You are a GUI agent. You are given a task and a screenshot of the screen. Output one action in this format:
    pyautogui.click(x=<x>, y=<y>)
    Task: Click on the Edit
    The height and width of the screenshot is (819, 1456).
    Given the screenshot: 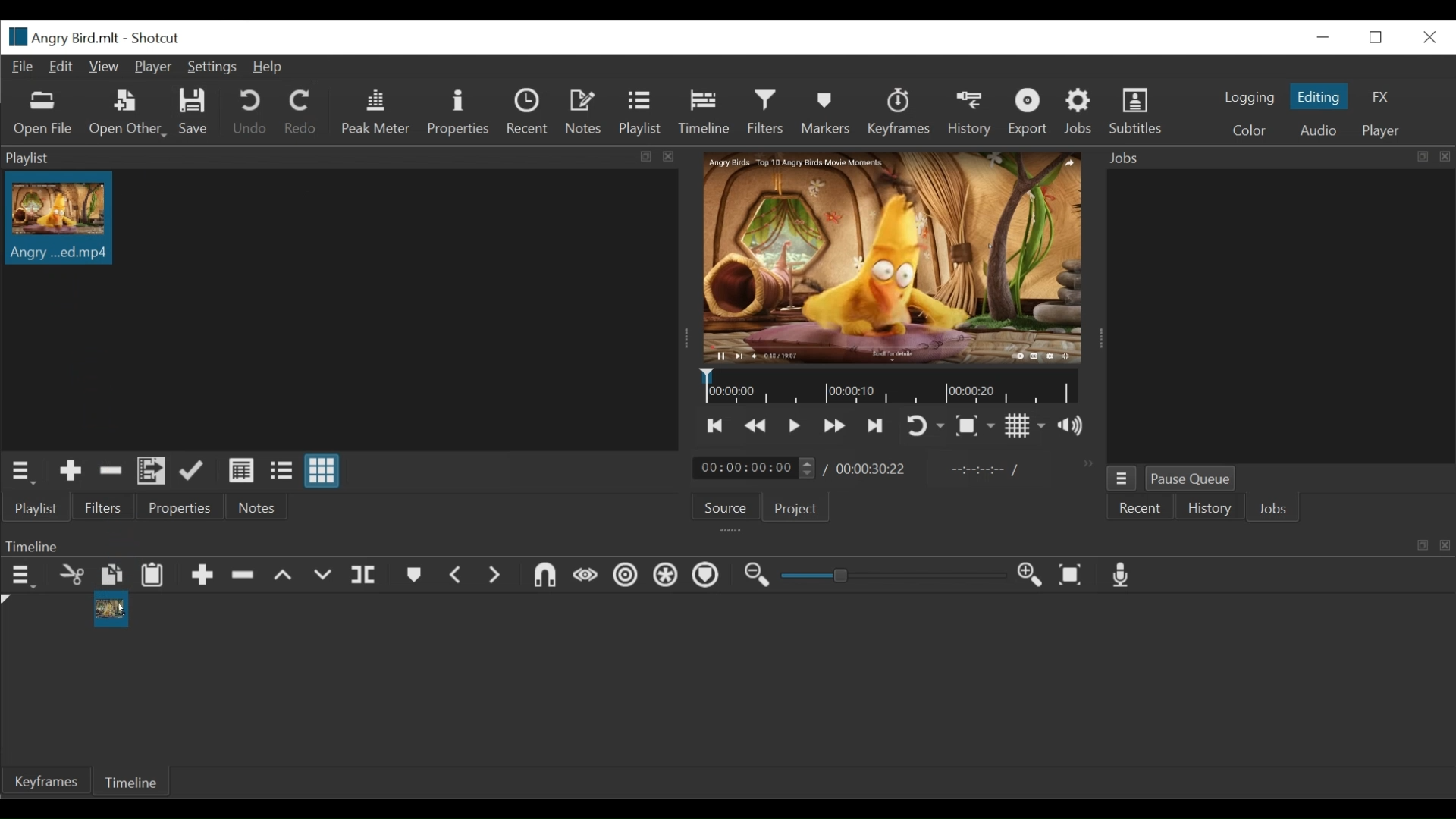 What is the action you would take?
    pyautogui.click(x=62, y=67)
    